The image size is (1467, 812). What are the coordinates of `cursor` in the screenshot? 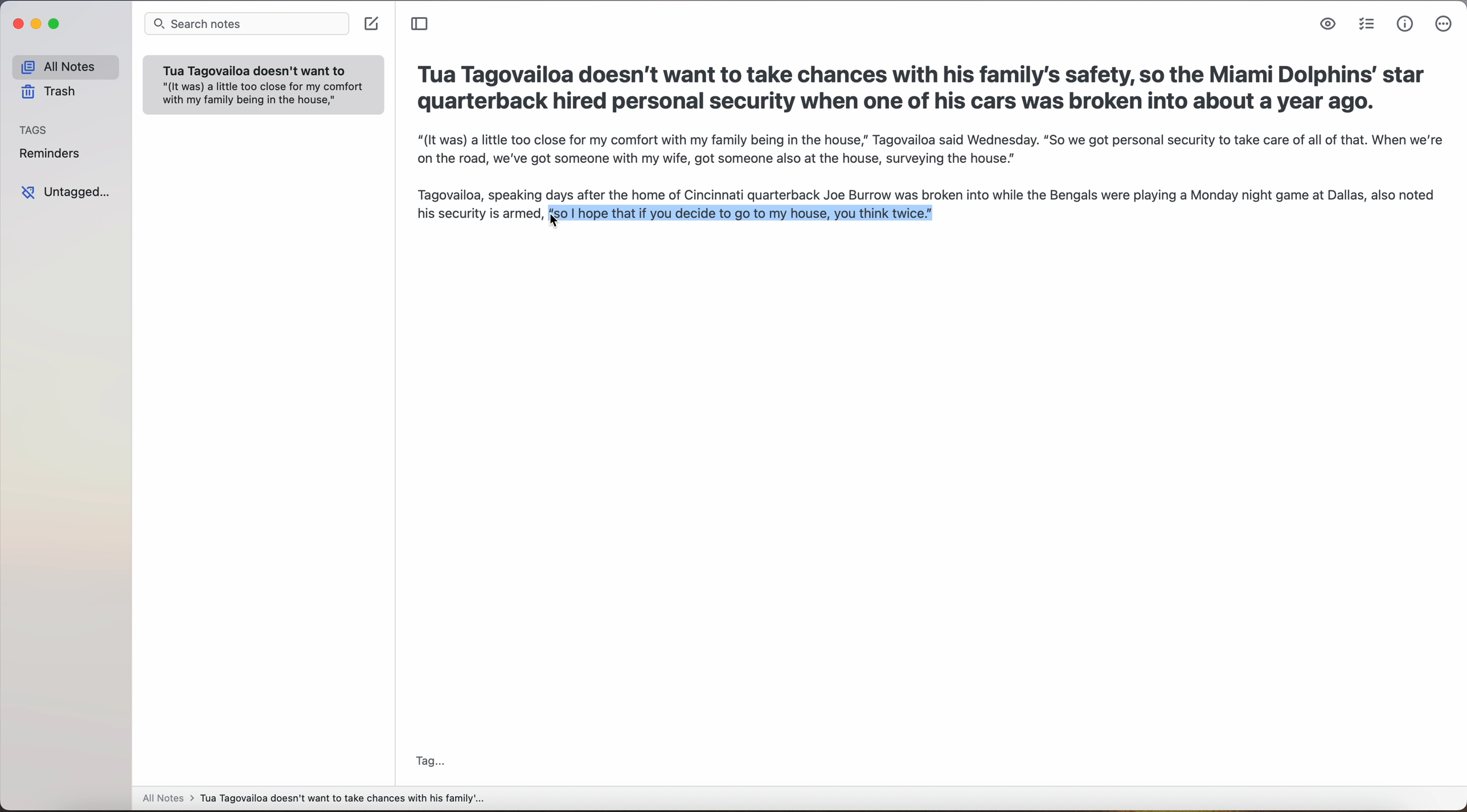 It's located at (551, 226).